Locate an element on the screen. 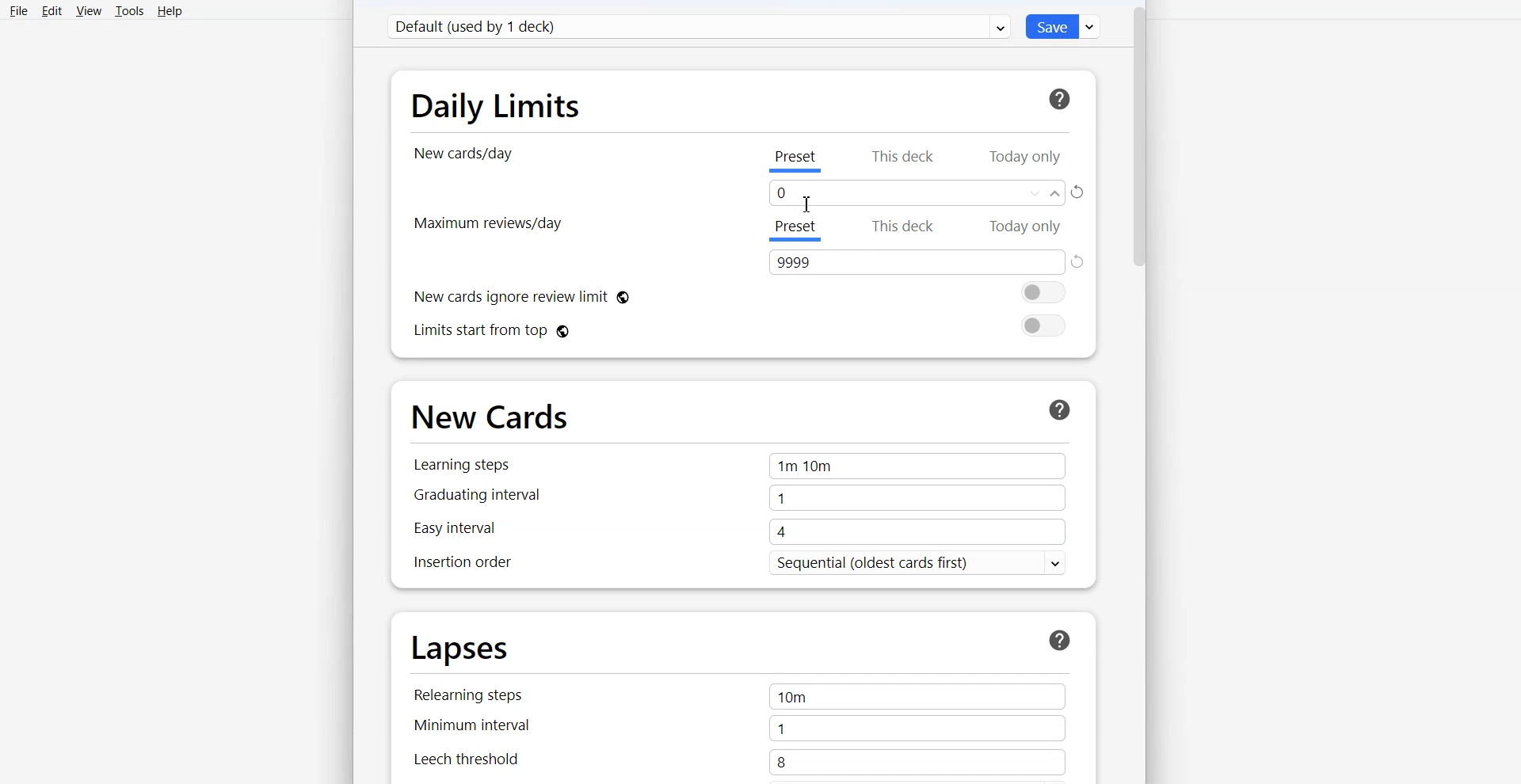 This screenshot has height=784, width=1521. Easy interval is located at coordinates (487, 531).